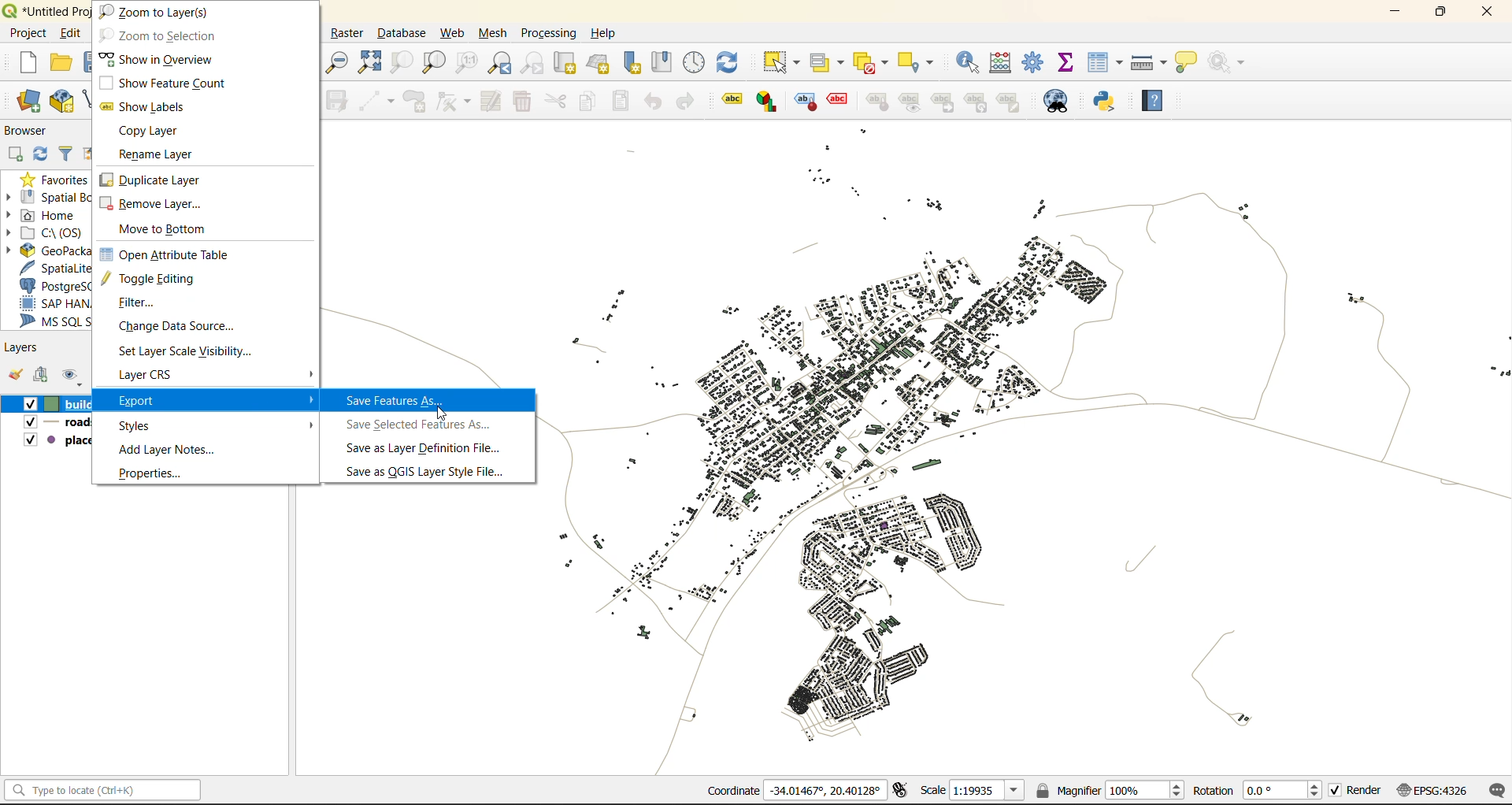 The width and height of the screenshot is (1512, 805). Describe the element at coordinates (61, 102) in the screenshot. I see `new geopackage` at that location.